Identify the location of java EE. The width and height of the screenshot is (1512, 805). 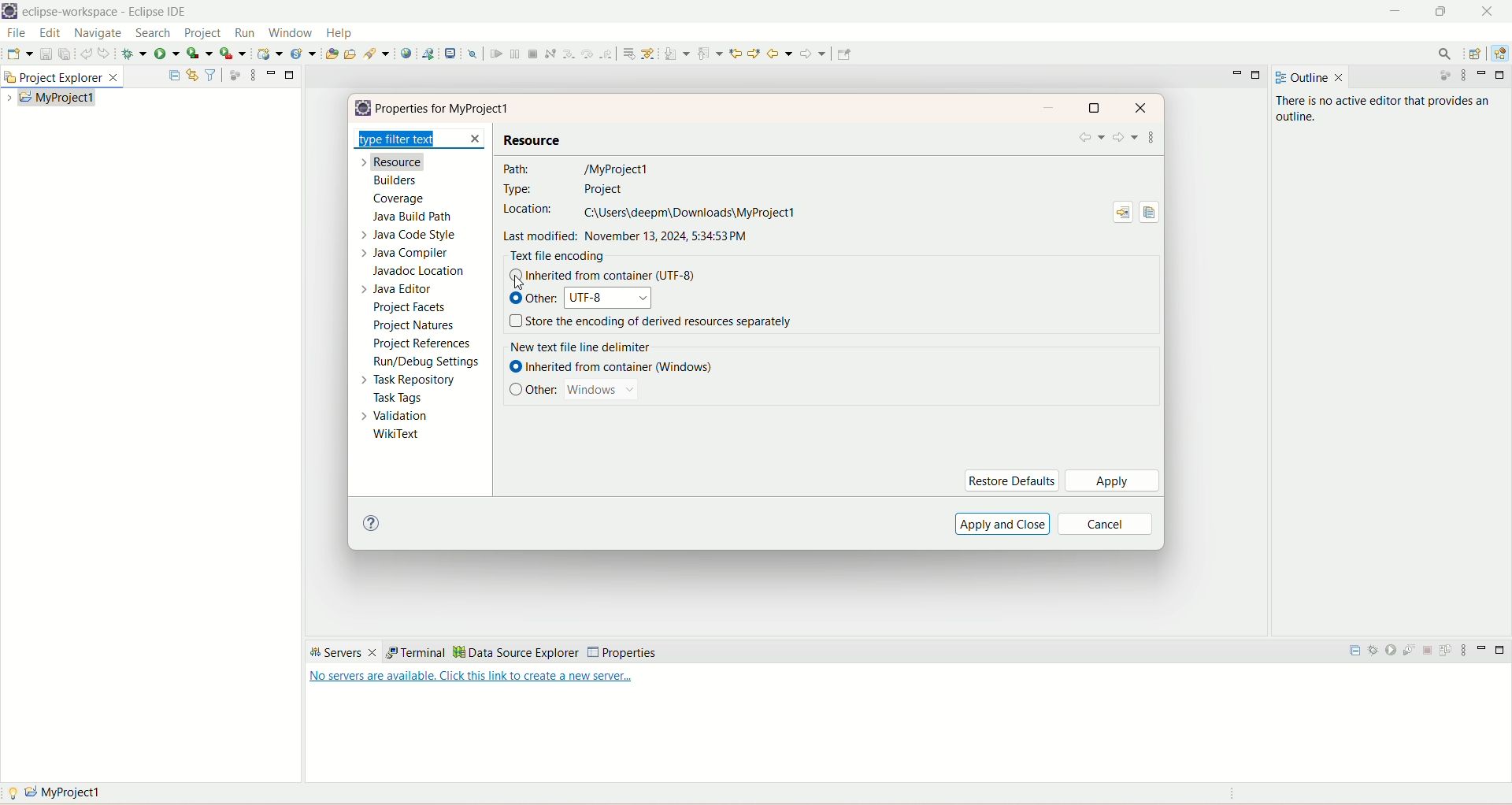
(1501, 53).